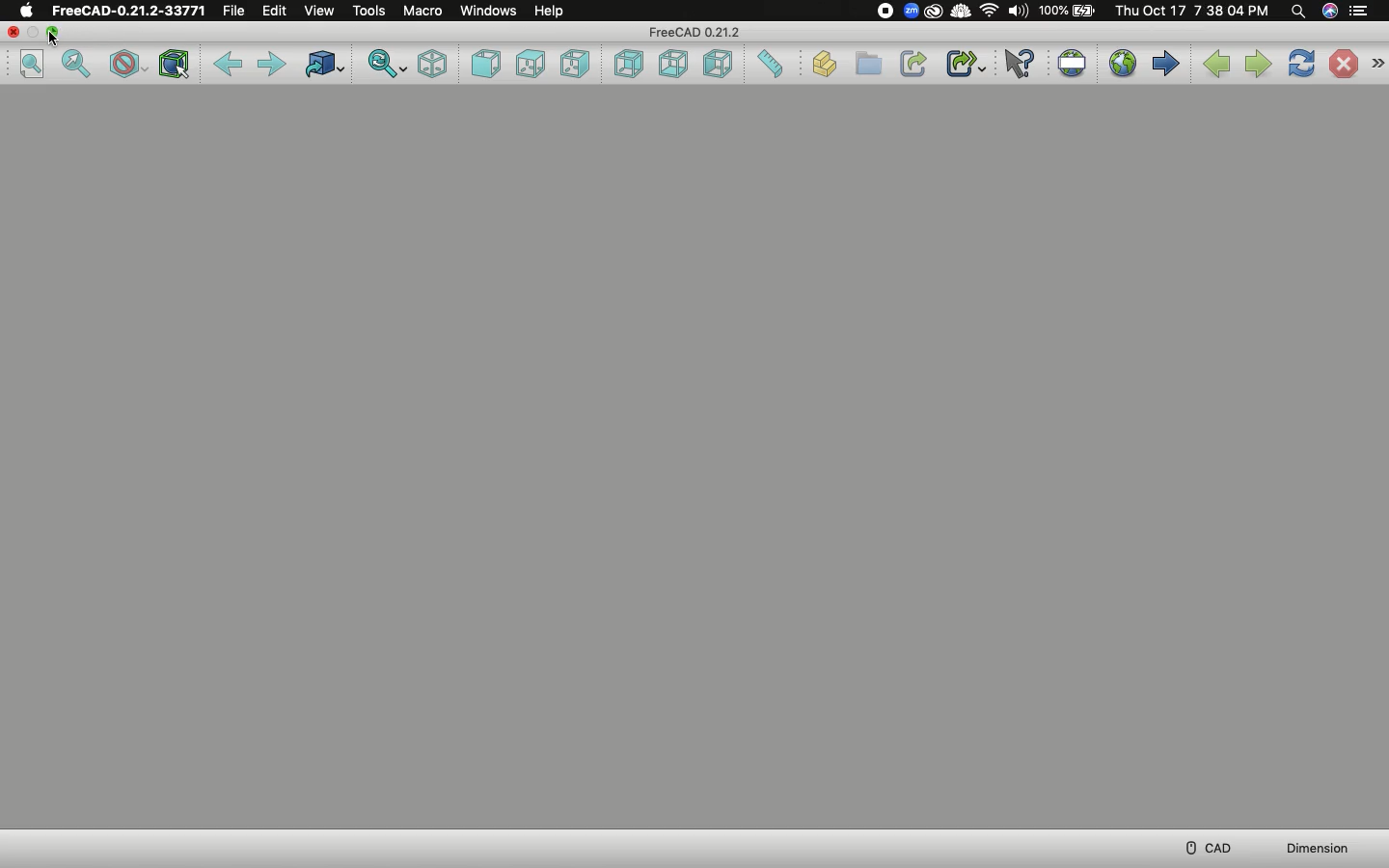  What do you see at coordinates (1342, 64) in the screenshot?
I see `Stop loading` at bounding box center [1342, 64].